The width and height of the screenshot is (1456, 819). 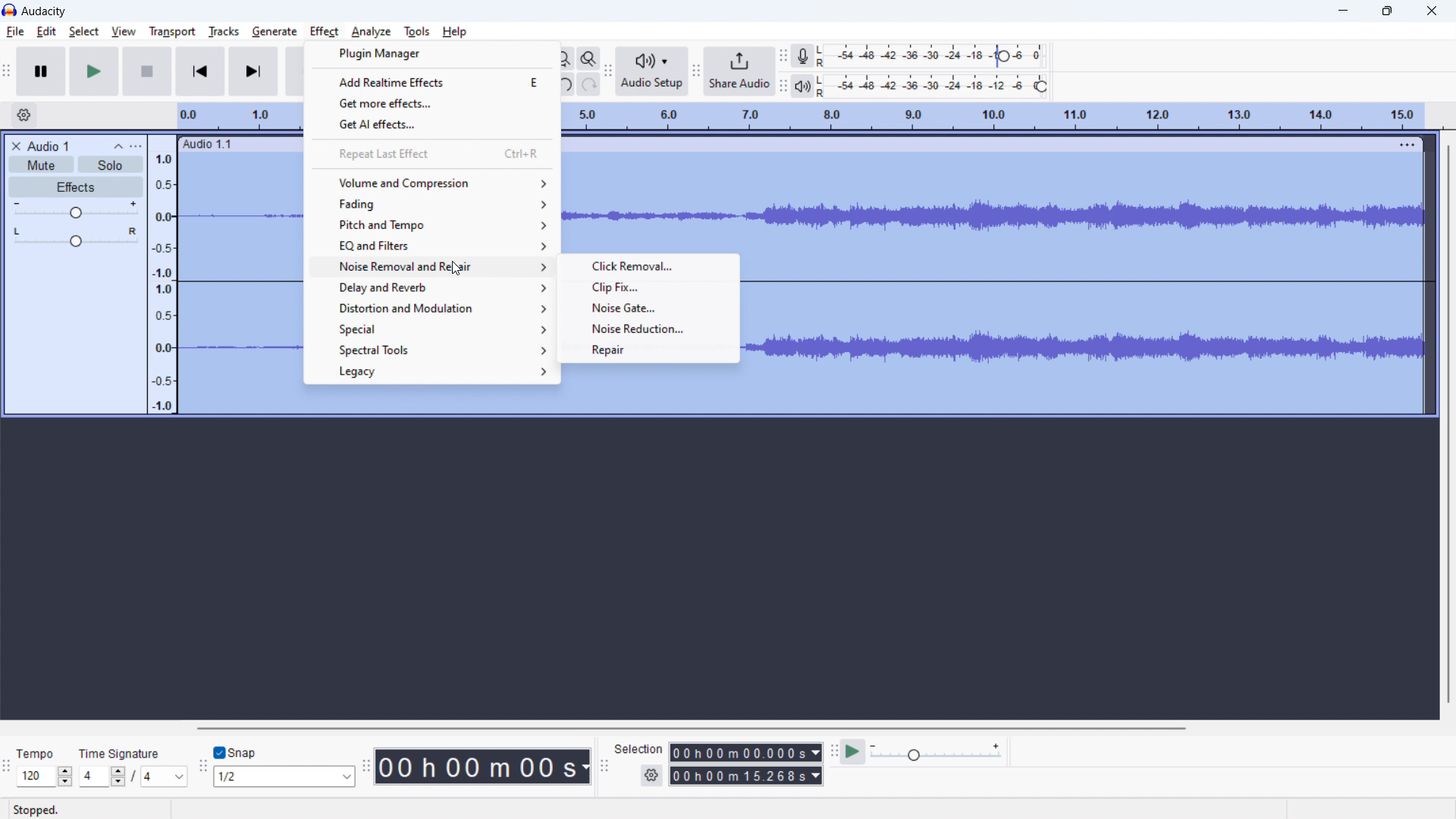 I want to click on pause, so click(x=41, y=72).